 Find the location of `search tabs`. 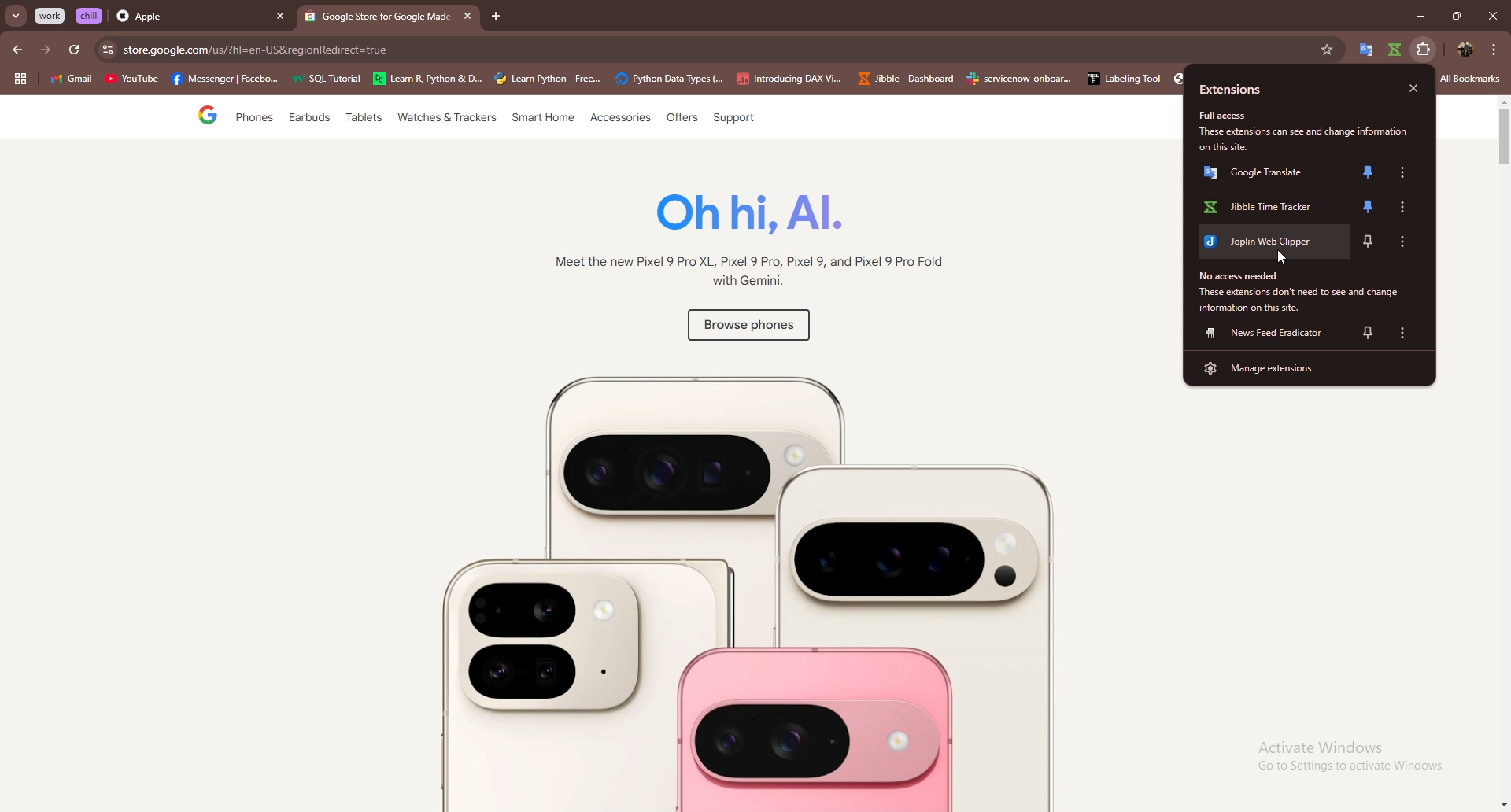

search tabs is located at coordinates (17, 17).